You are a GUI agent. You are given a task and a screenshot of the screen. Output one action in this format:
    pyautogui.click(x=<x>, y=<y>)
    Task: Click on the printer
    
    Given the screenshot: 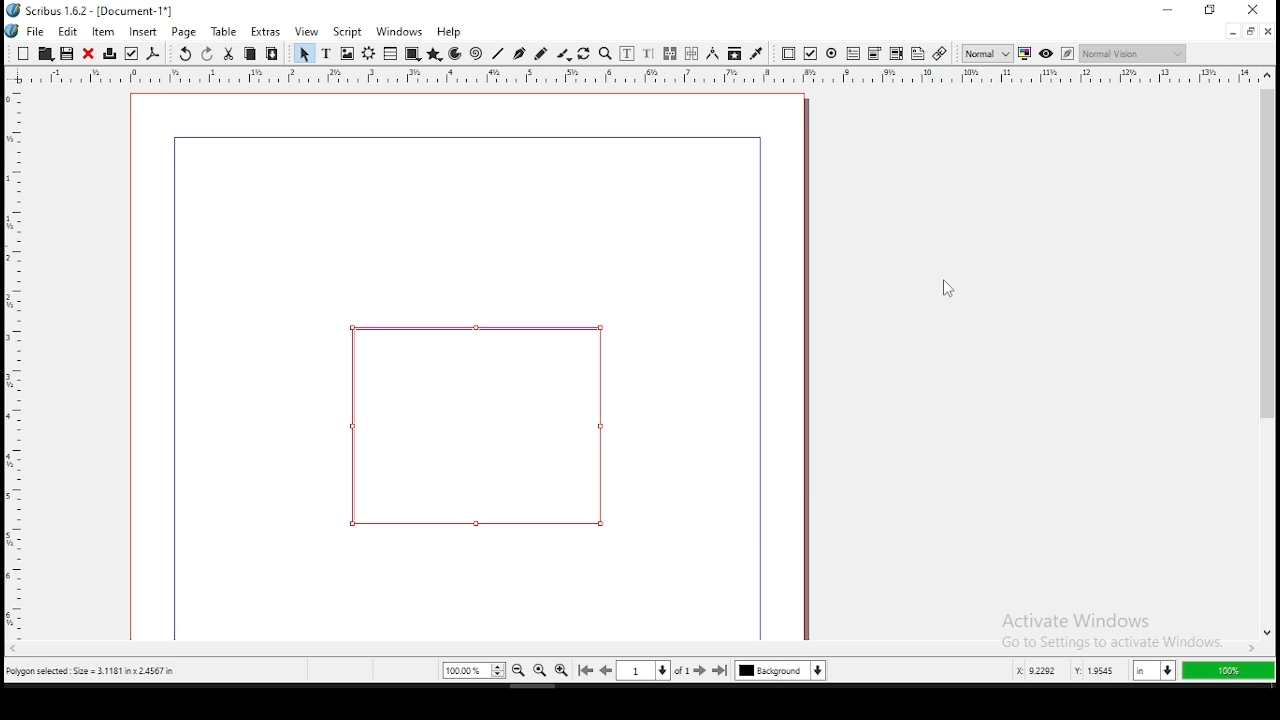 What is the action you would take?
    pyautogui.click(x=109, y=54)
    